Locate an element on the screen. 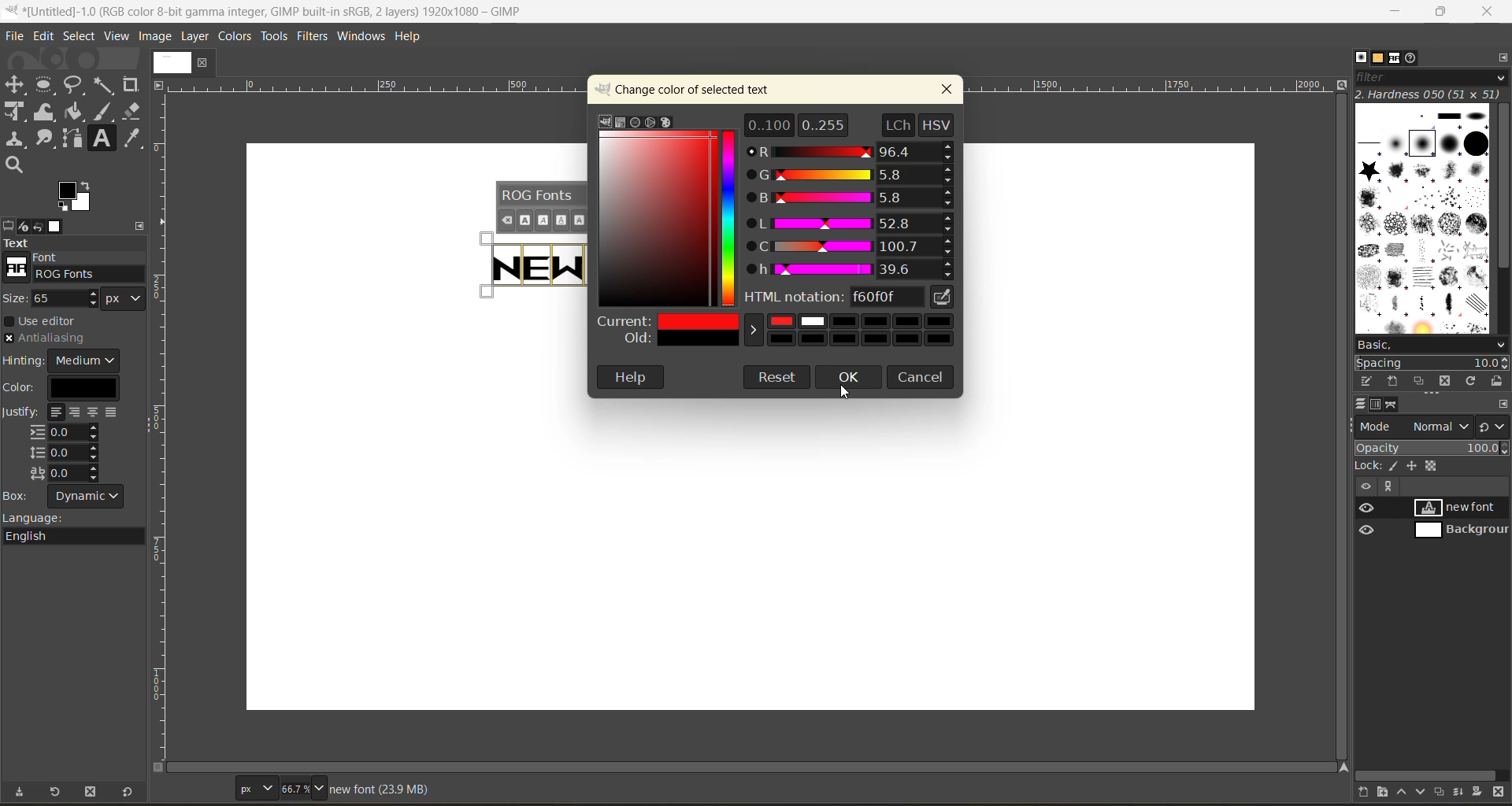 The image size is (1512, 806). justify is located at coordinates (65, 445).